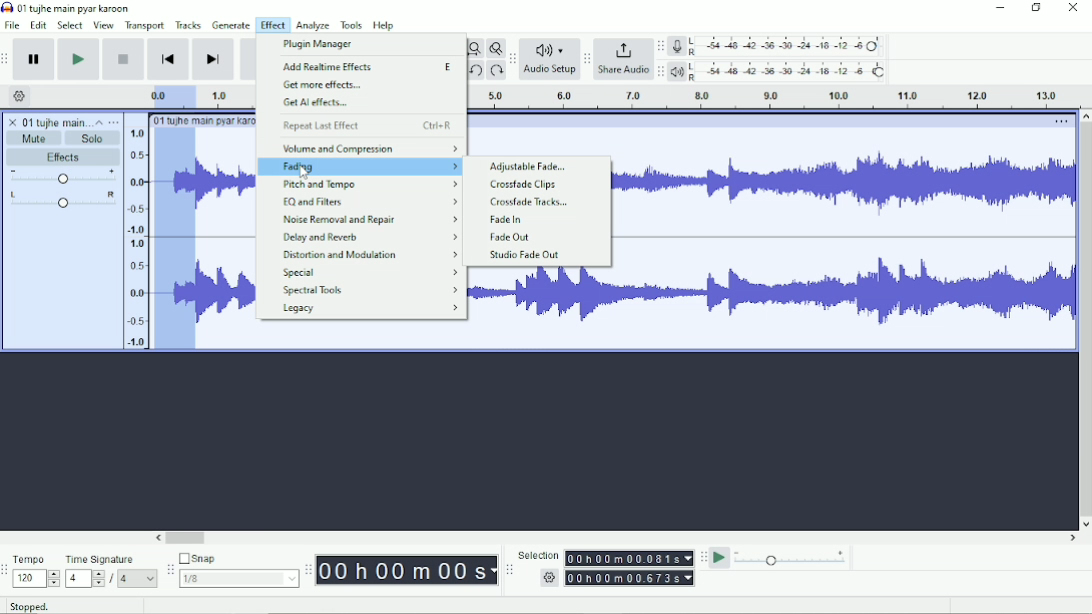 Image resolution: width=1092 pixels, height=614 pixels. Describe the element at coordinates (660, 71) in the screenshot. I see `Audacity playback meter toolbar` at that location.